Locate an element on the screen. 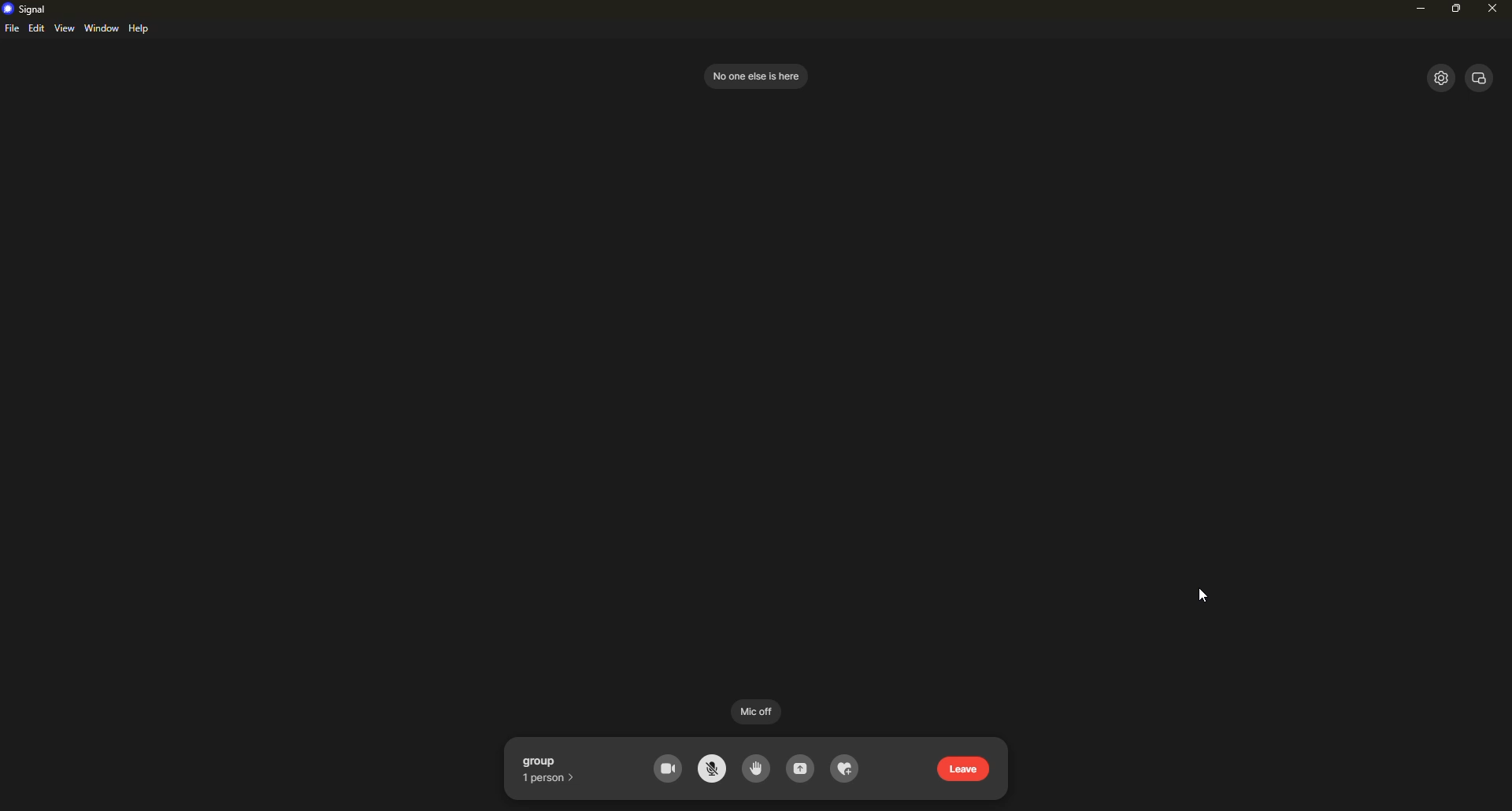  mute mic is located at coordinates (713, 768).